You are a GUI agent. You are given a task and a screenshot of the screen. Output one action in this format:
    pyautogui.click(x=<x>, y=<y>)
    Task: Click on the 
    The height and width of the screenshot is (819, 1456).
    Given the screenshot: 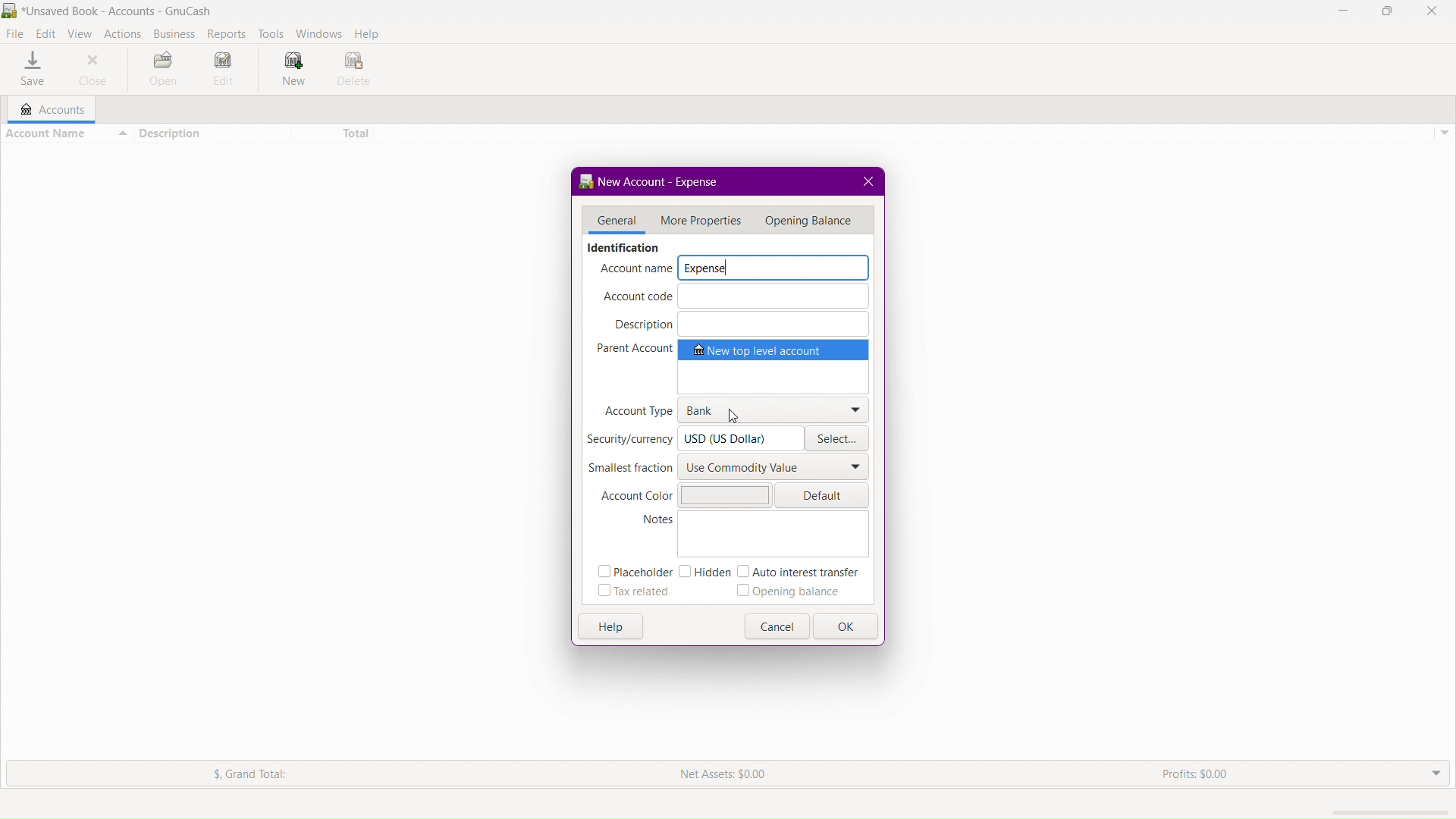 What is the action you would take?
    pyautogui.click(x=811, y=218)
    